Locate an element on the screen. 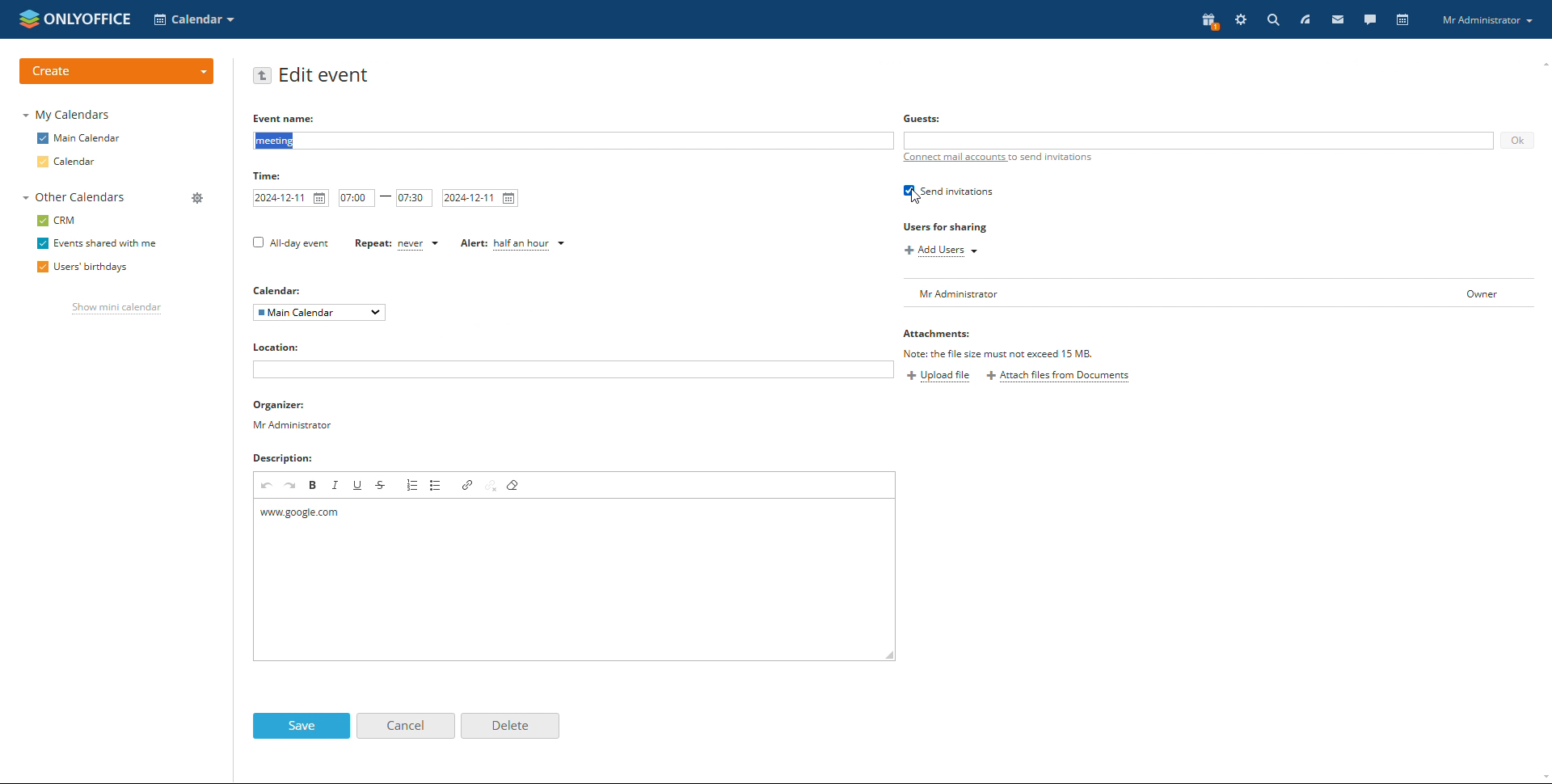 Image resolution: width=1552 pixels, height=784 pixels. settings is located at coordinates (1242, 19).